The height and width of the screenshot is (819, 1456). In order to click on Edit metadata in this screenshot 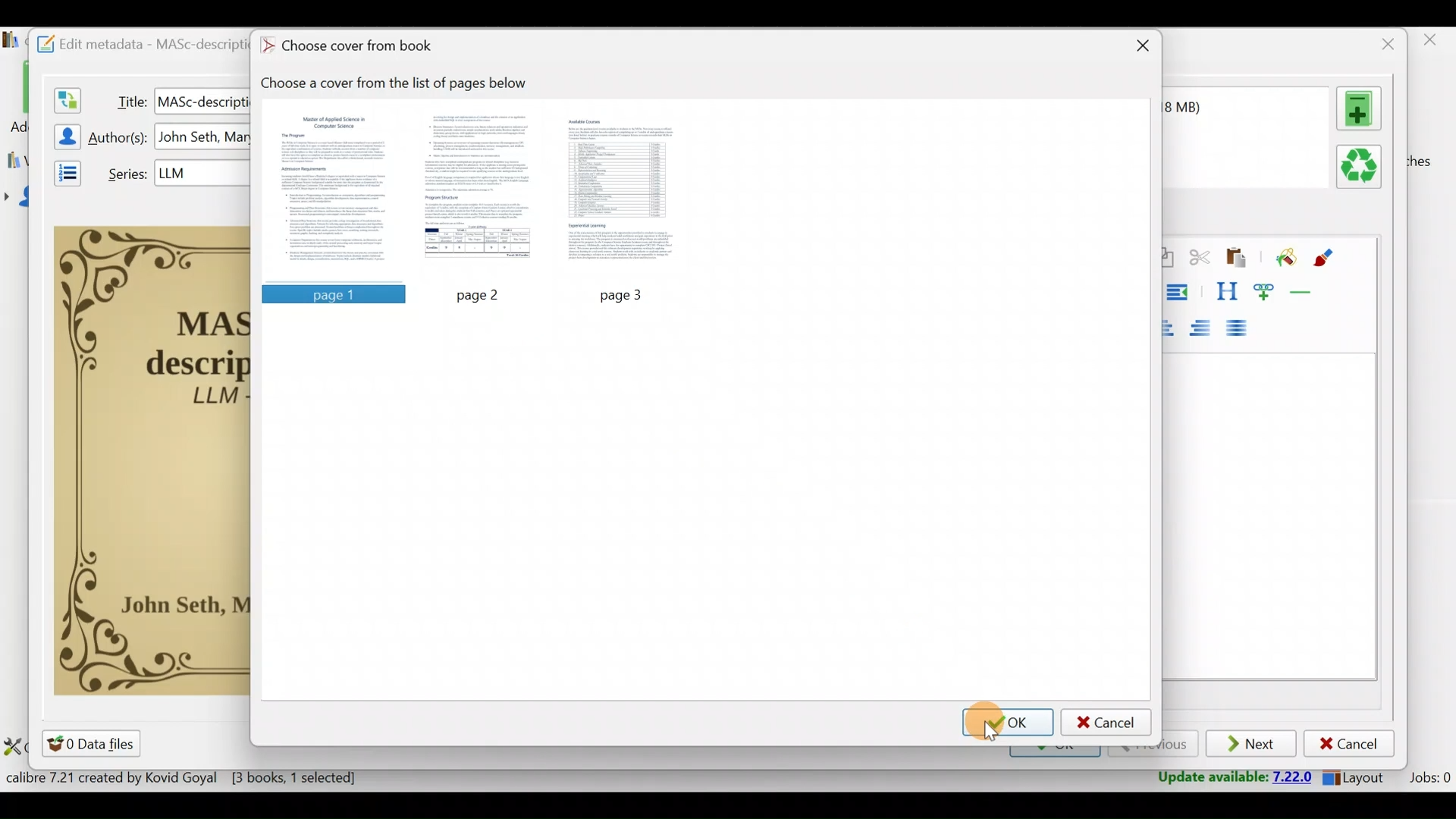, I will do `click(134, 42)`.